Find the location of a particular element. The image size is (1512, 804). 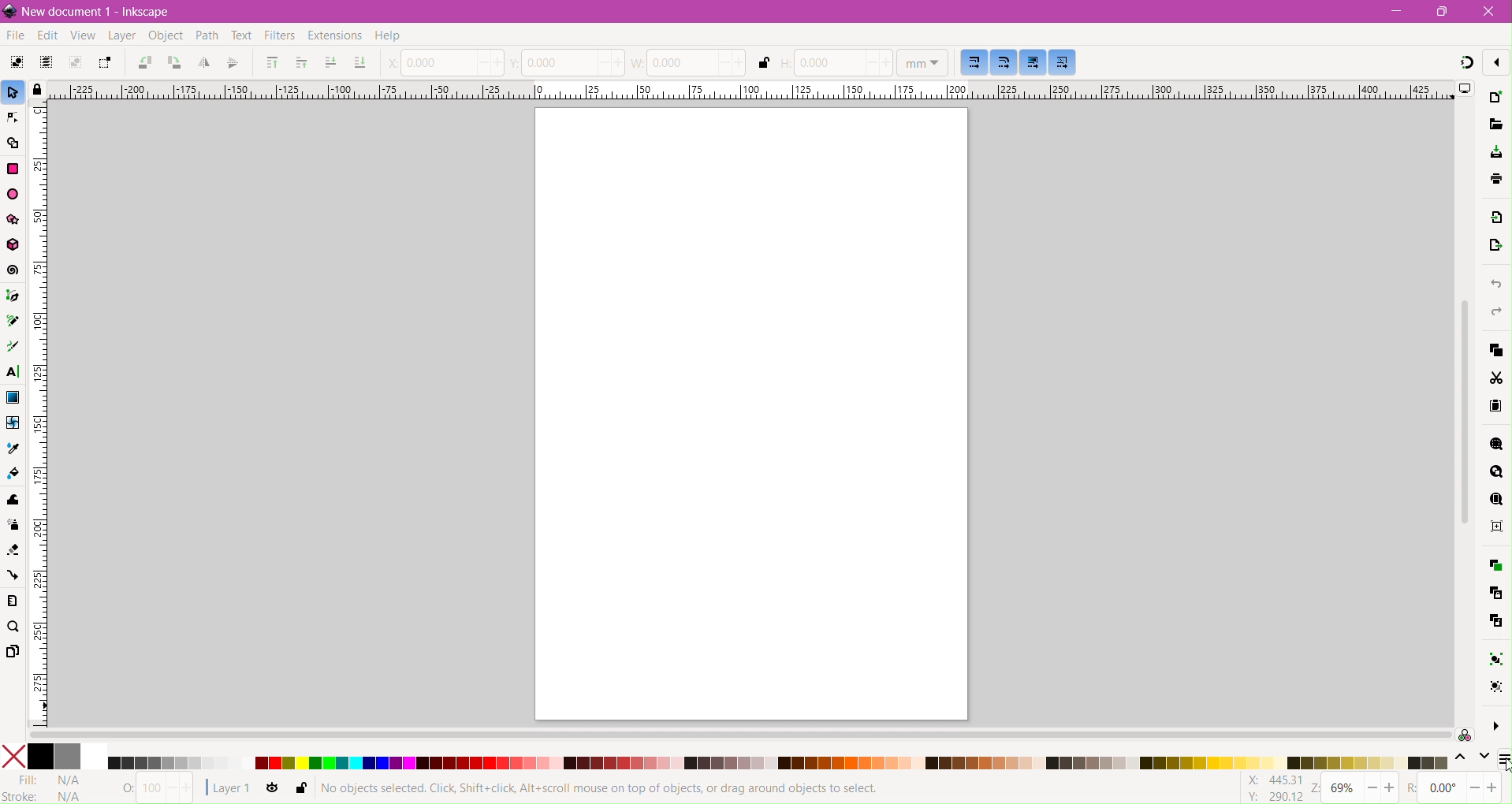

Zoom Page is located at coordinates (1495, 500).